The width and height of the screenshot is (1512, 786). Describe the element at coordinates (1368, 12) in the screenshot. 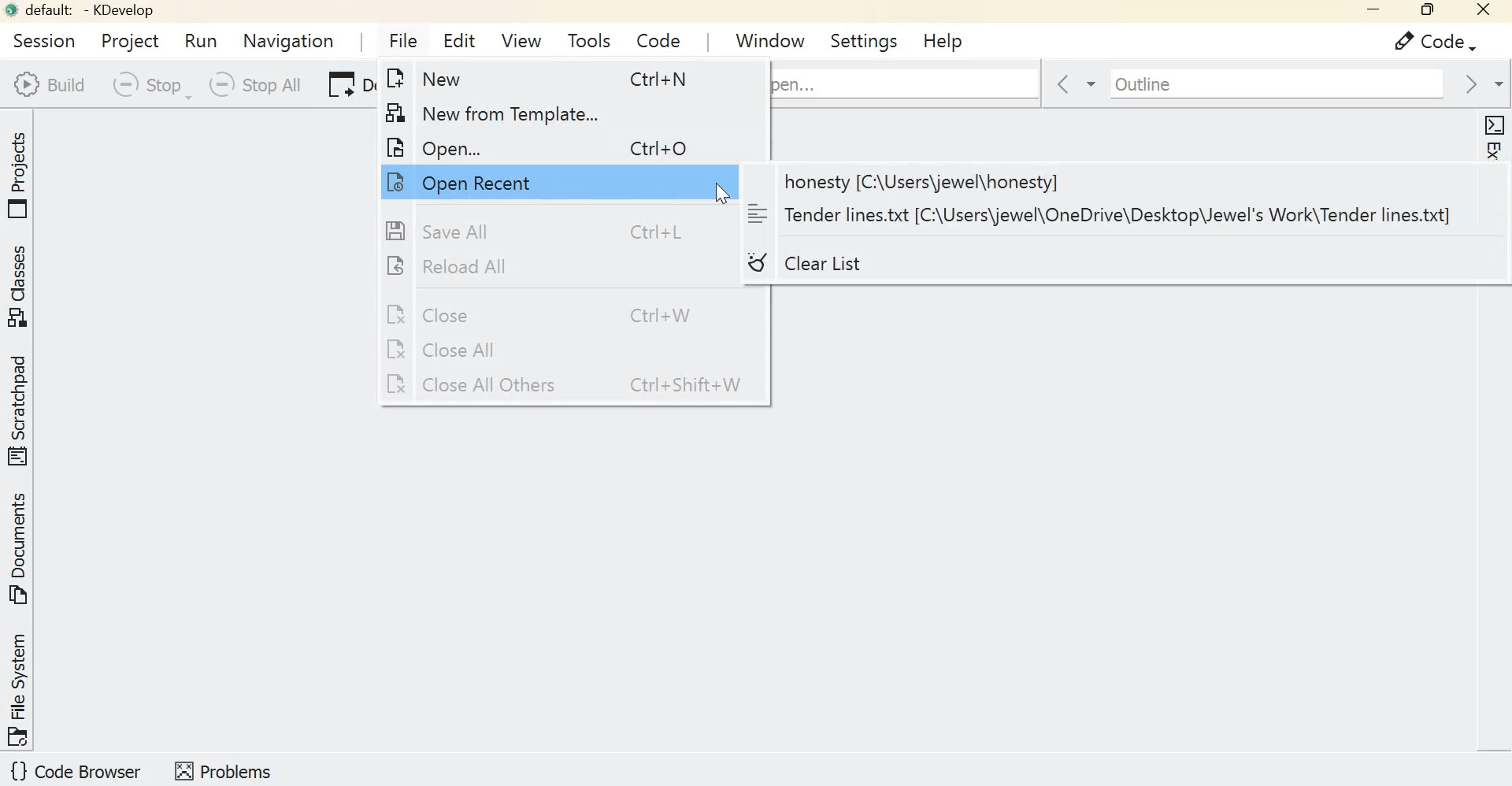

I see `Minimize` at that location.